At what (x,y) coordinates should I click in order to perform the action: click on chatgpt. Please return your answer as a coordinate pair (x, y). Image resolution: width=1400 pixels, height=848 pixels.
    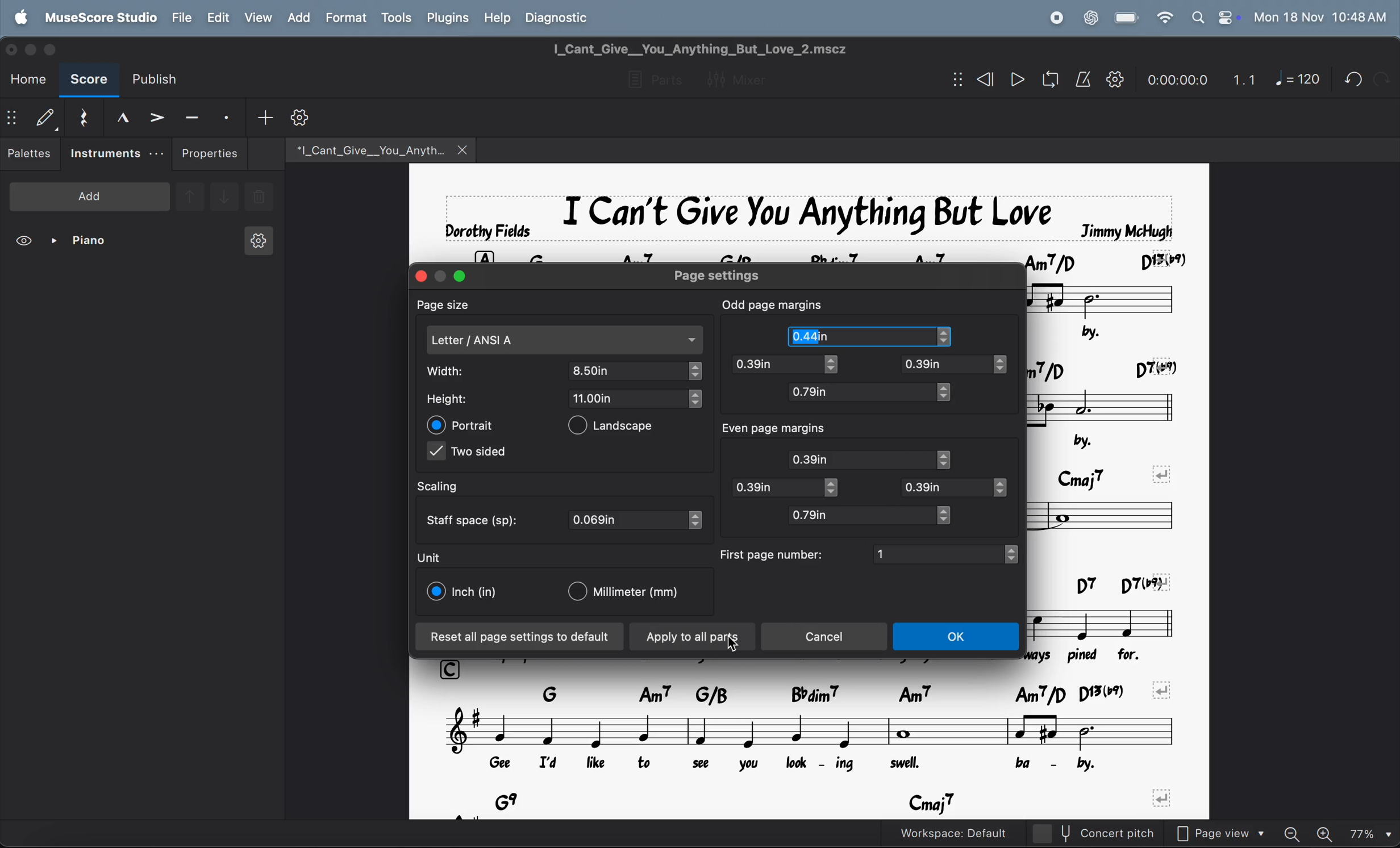
    Looking at the image, I should click on (1090, 16).